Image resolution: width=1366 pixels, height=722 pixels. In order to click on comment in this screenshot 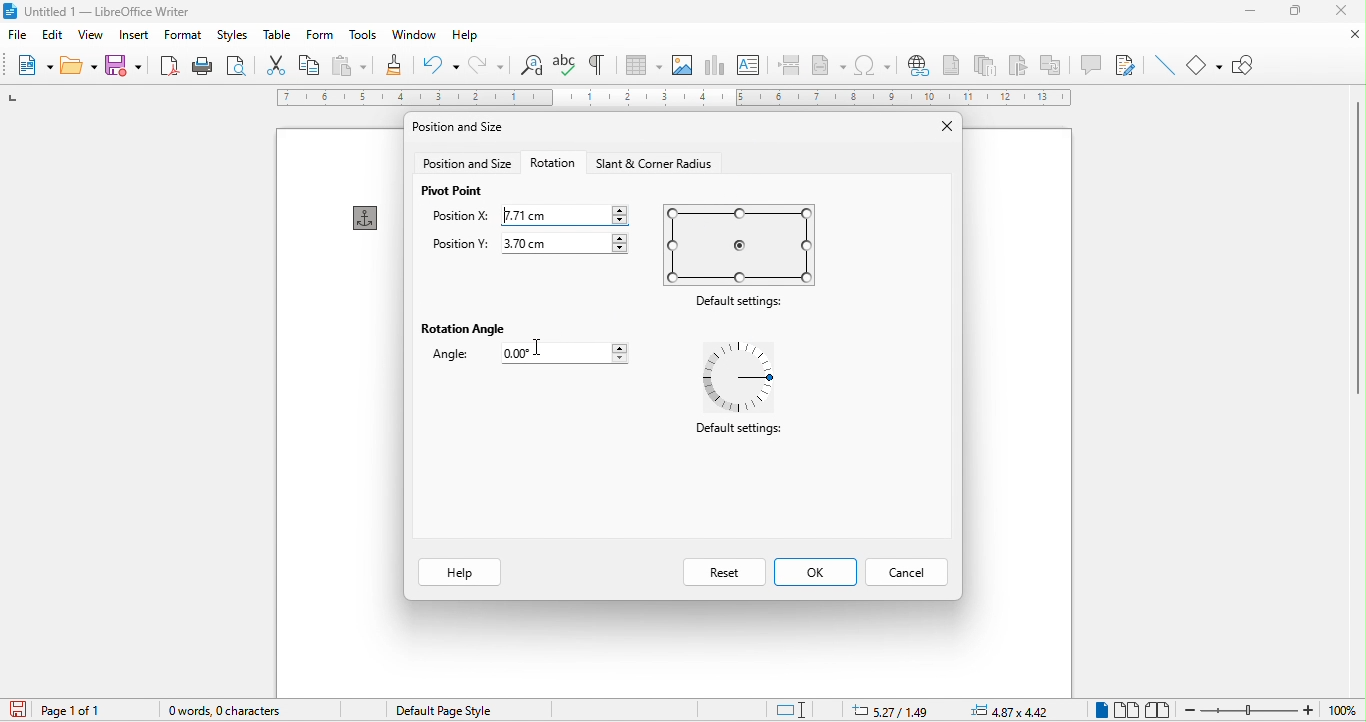, I will do `click(1091, 64)`.